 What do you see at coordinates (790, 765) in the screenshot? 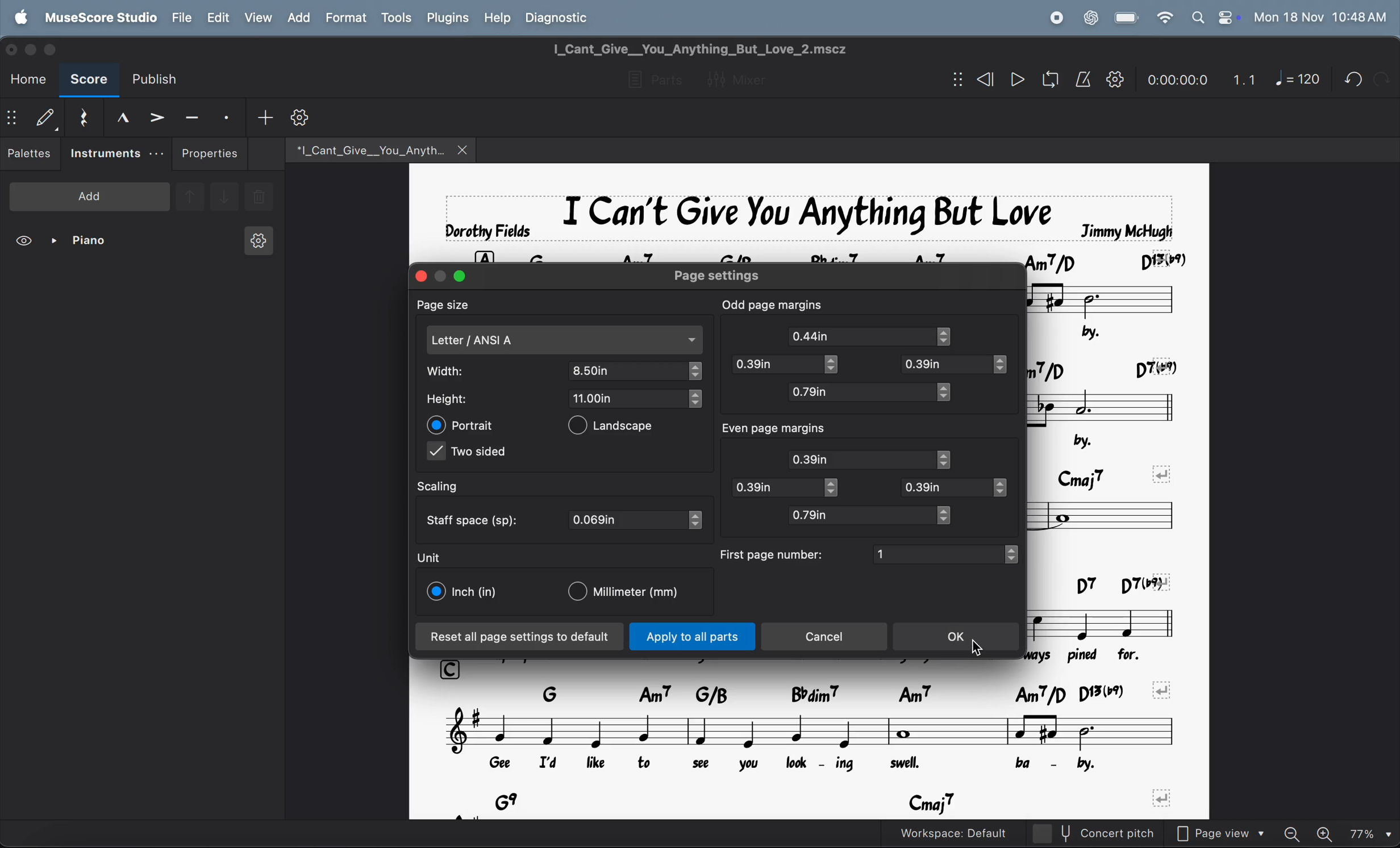
I see `lyrics` at bounding box center [790, 765].